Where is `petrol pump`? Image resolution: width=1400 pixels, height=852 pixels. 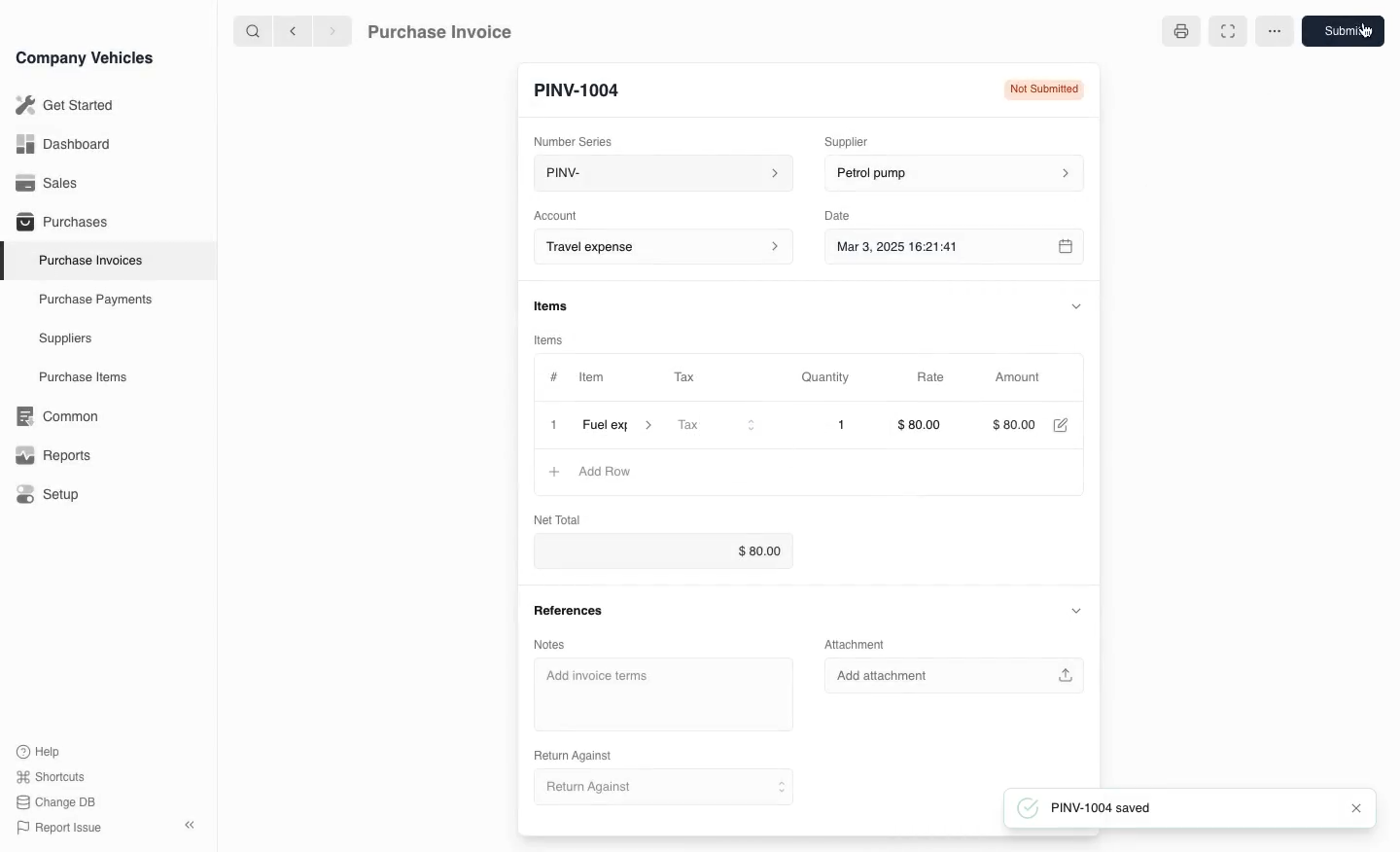 petrol pump is located at coordinates (951, 174).